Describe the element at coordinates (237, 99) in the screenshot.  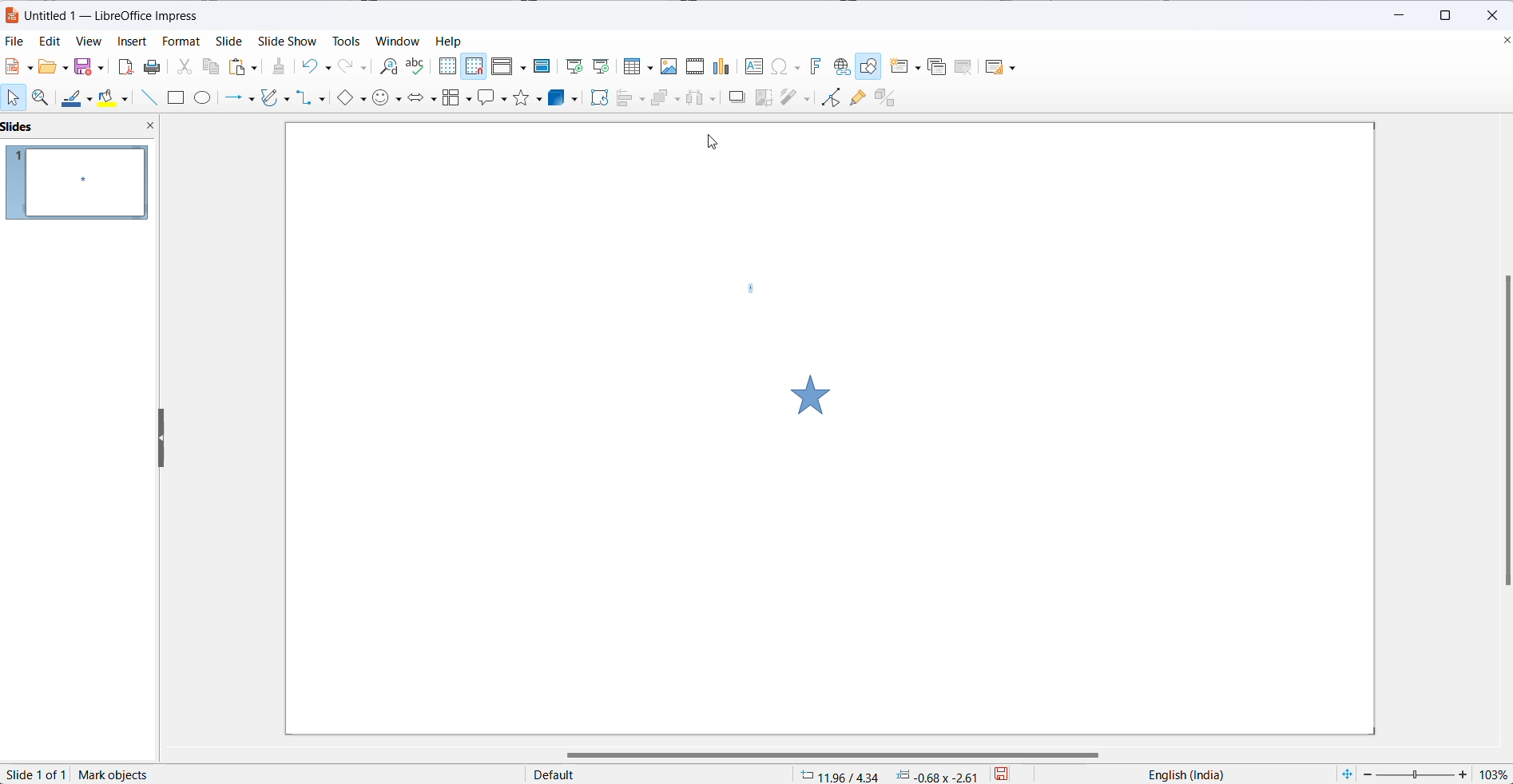
I see `line and arrows` at that location.